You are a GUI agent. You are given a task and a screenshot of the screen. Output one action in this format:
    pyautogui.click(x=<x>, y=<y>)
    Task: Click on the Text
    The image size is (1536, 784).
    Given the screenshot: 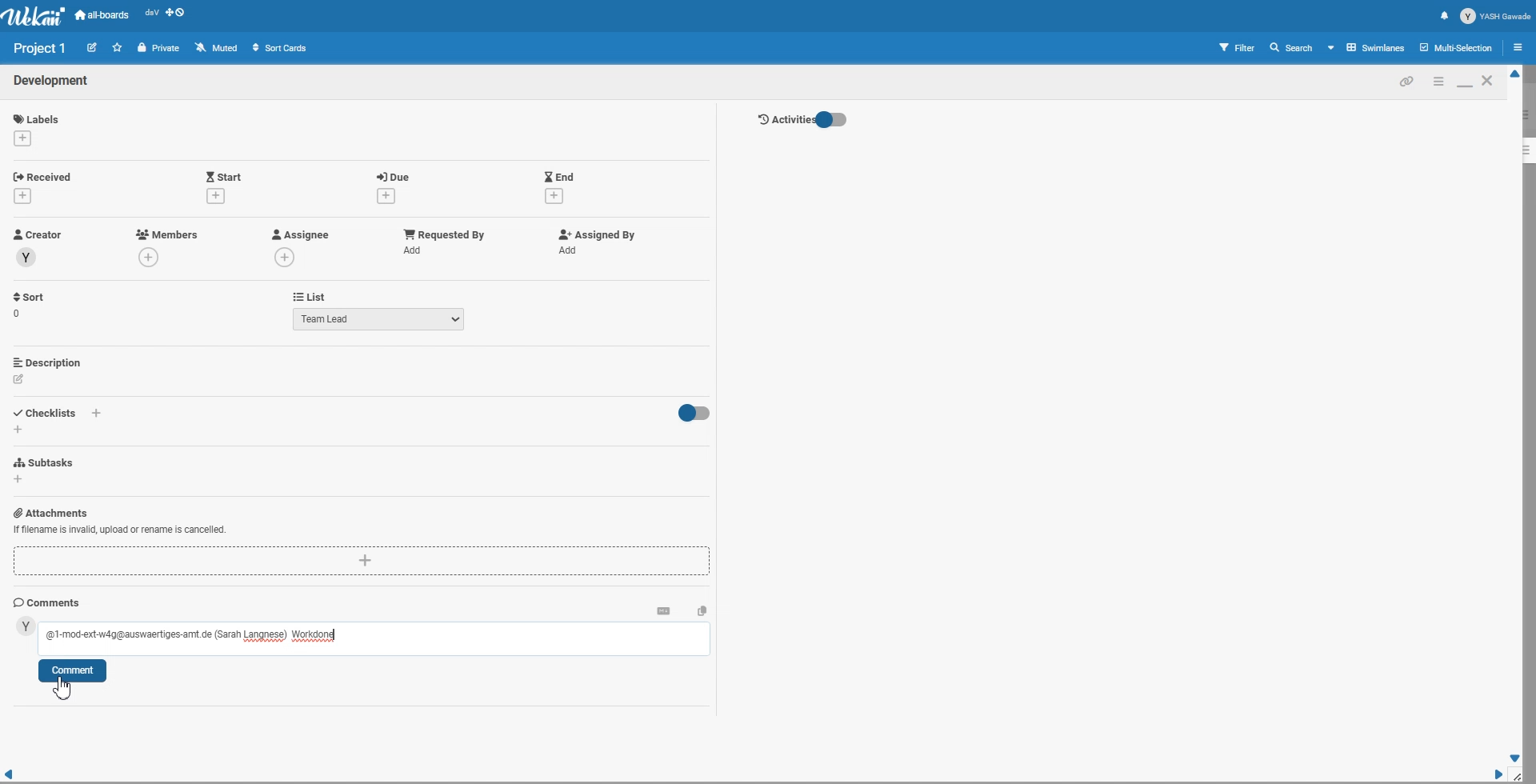 What is the action you would take?
    pyautogui.click(x=52, y=82)
    